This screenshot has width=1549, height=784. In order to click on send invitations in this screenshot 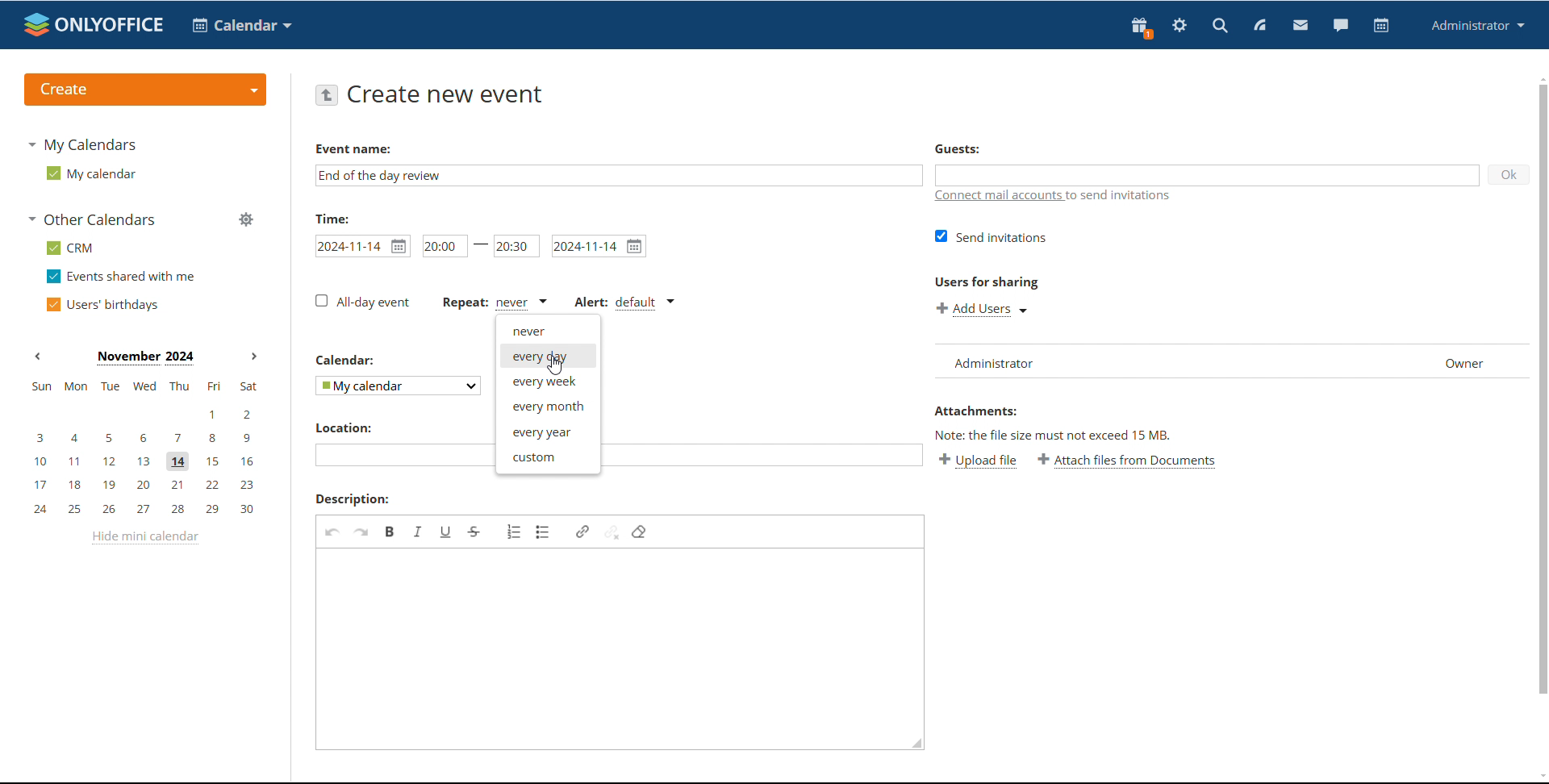, I will do `click(992, 236)`.